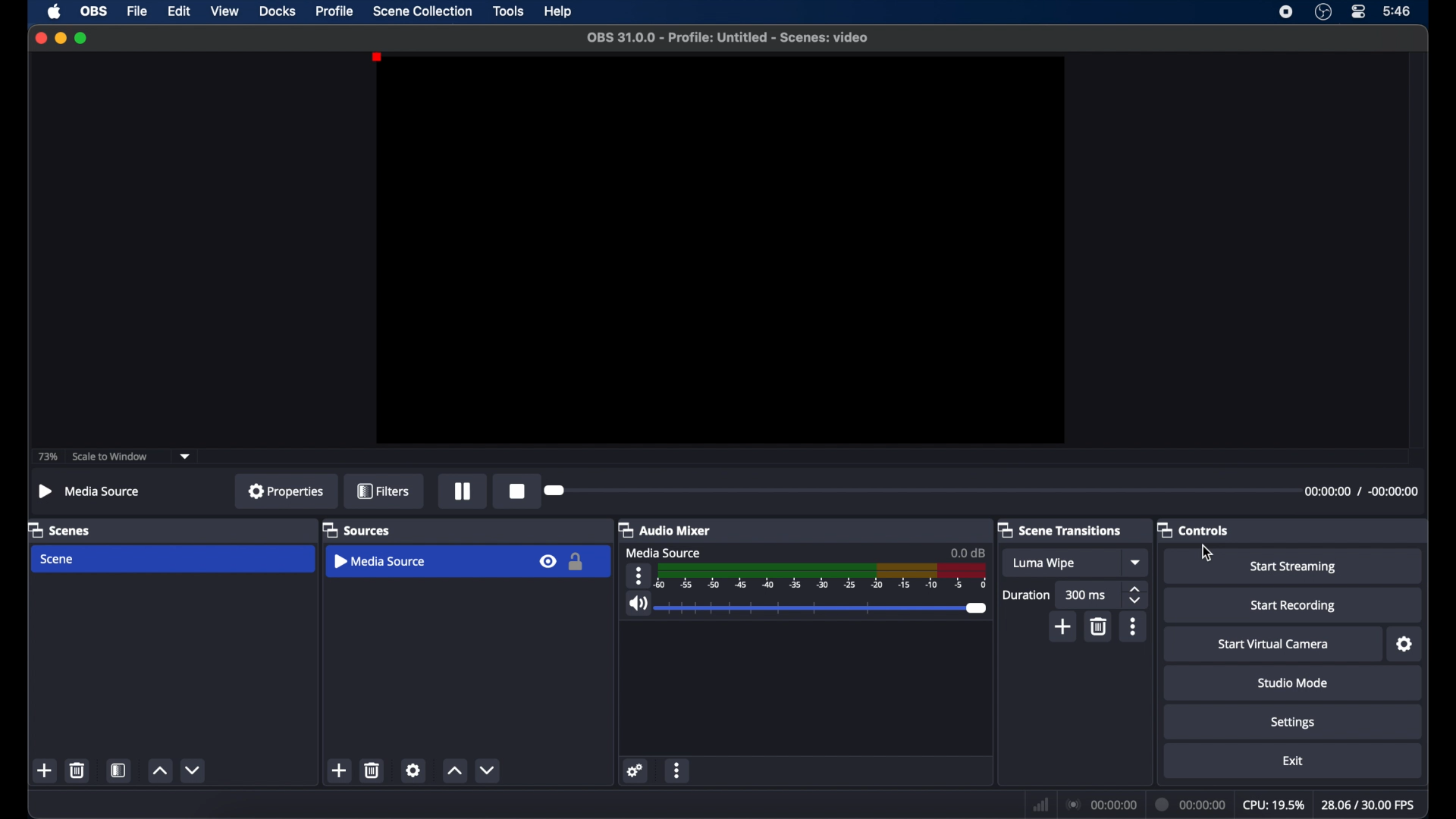 This screenshot has width=1456, height=819. I want to click on time, so click(1396, 10).